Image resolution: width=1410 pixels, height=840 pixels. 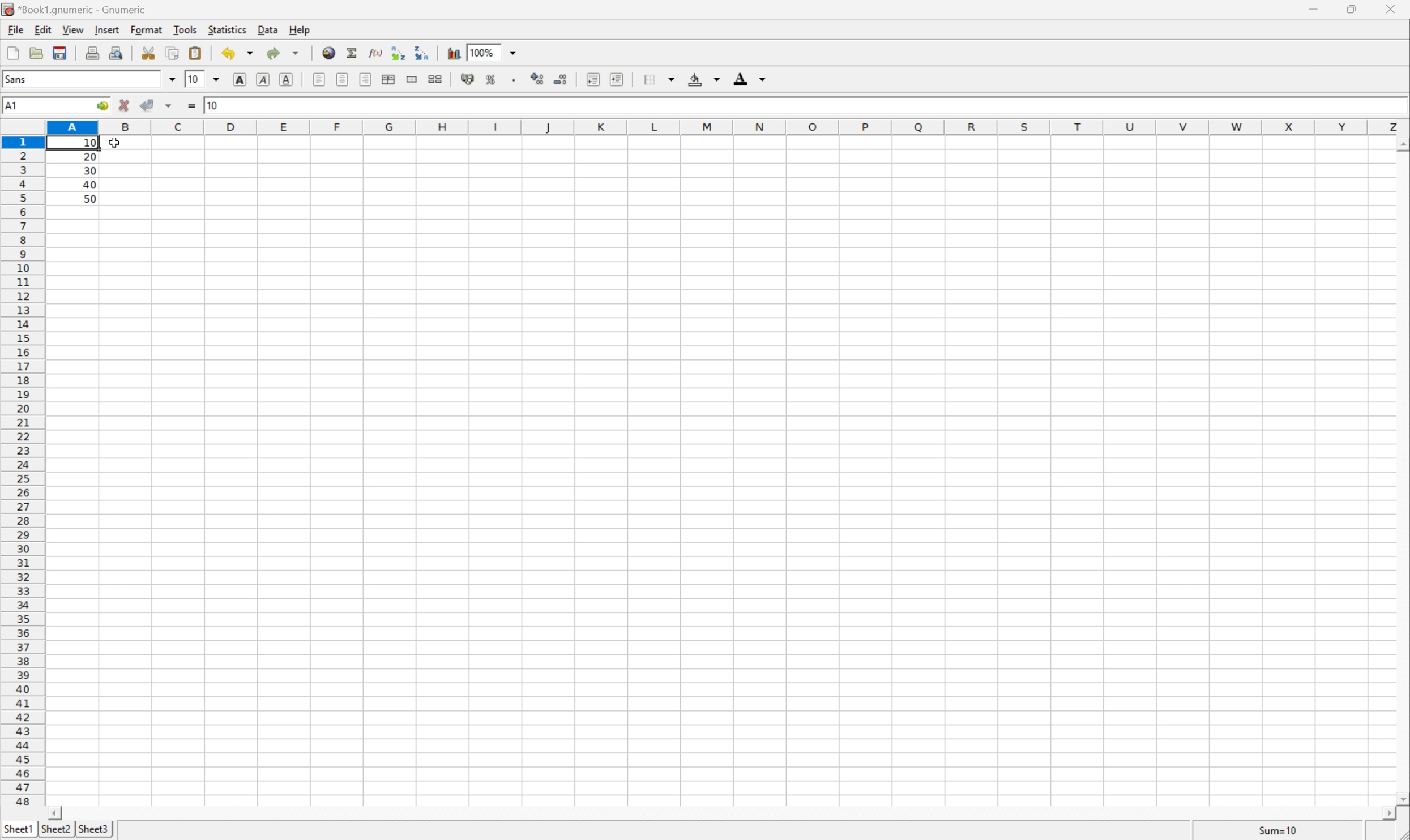 What do you see at coordinates (90, 157) in the screenshot?
I see `20` at bounding box center [90, 157].